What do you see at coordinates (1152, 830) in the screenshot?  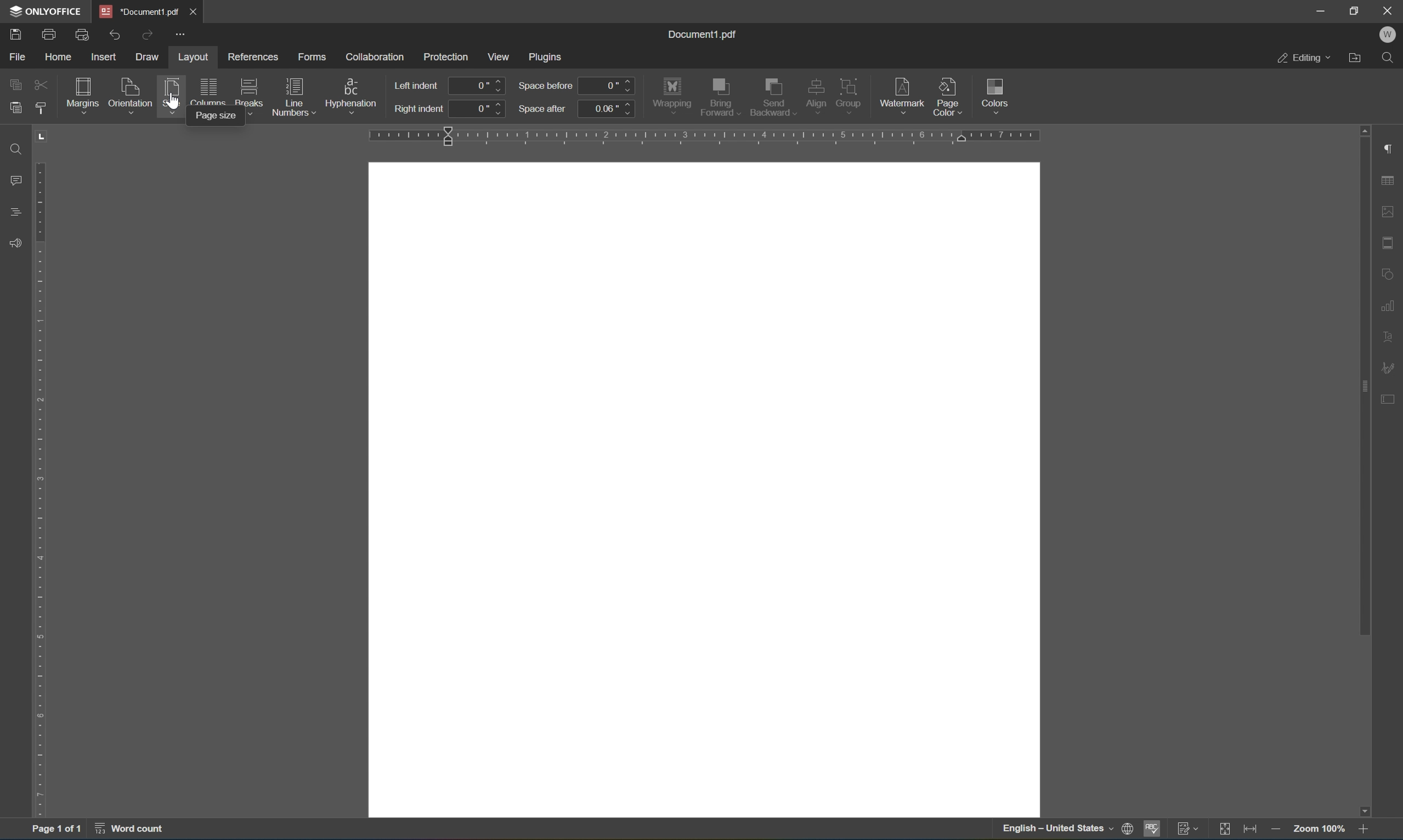 I see `spell checking` at bounding box center [1152, 830].